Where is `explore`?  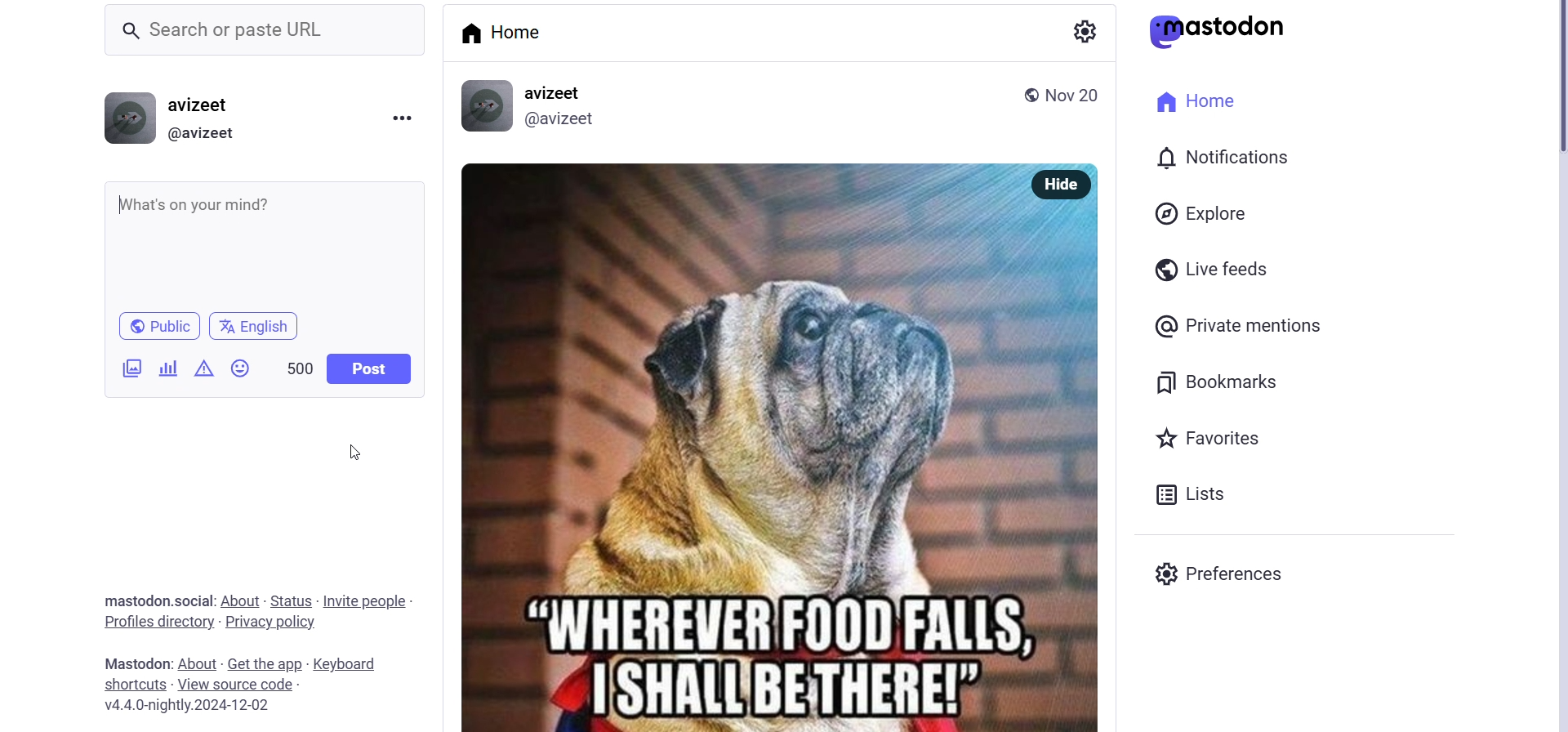
explore is located at coordinates (1214, 217).